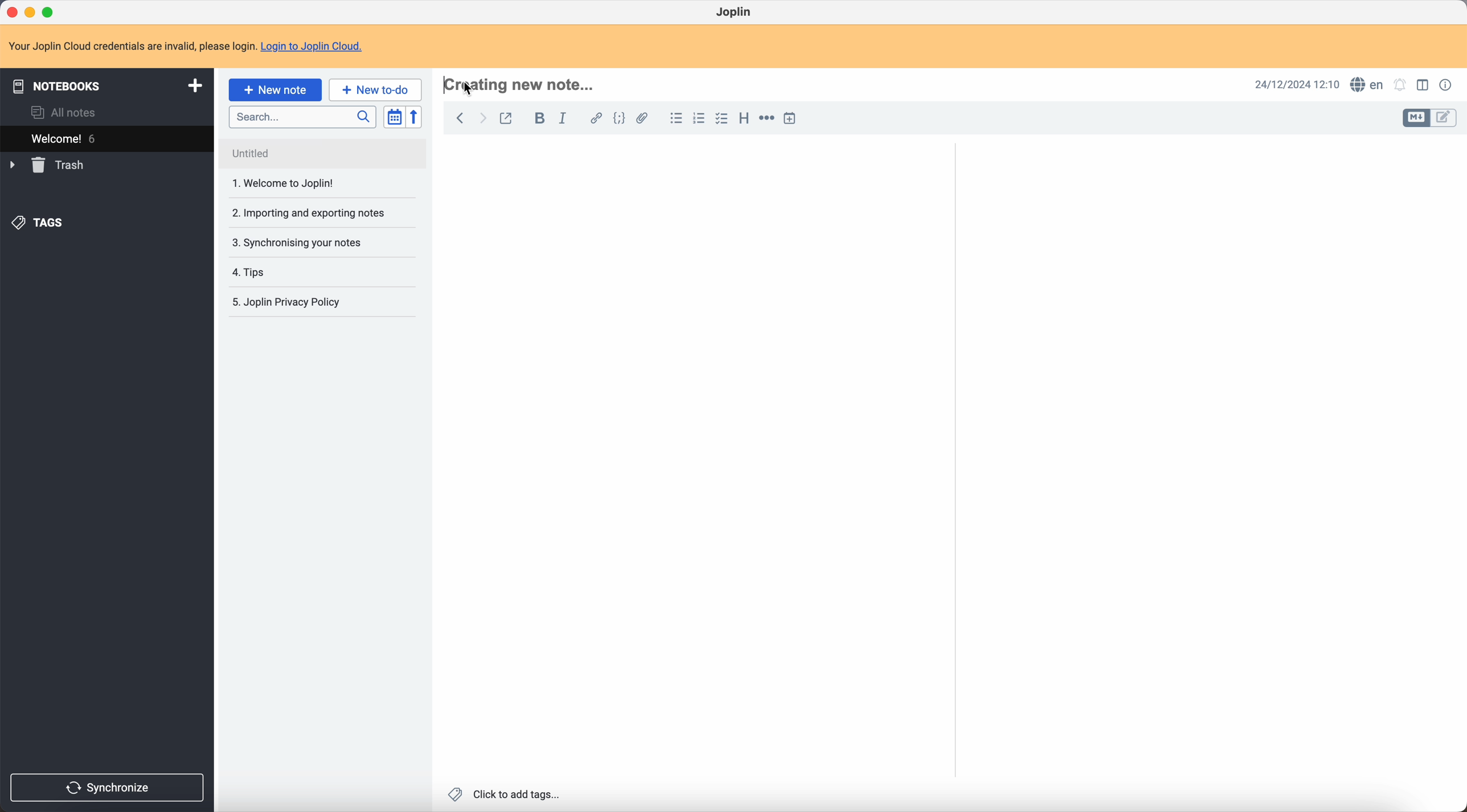  Describe the element at coordinates (315, 212) in the screenshot. I see `importing and exporting notes` at that location.